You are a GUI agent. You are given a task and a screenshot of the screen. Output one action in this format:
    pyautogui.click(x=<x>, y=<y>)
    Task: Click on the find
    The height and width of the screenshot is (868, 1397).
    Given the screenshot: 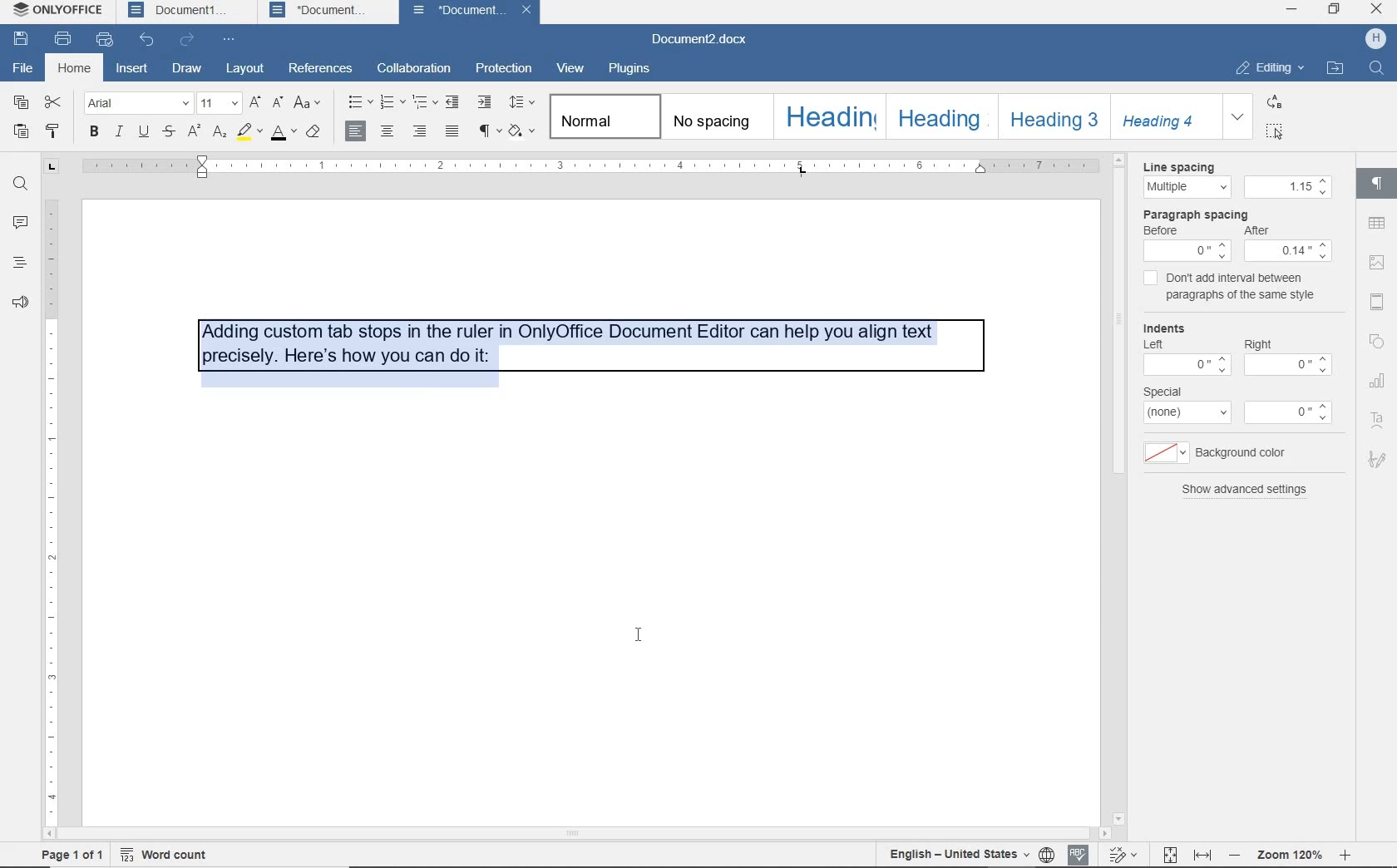 What is the action you would take?
    pyautogui.click(x=21, y=185)
    